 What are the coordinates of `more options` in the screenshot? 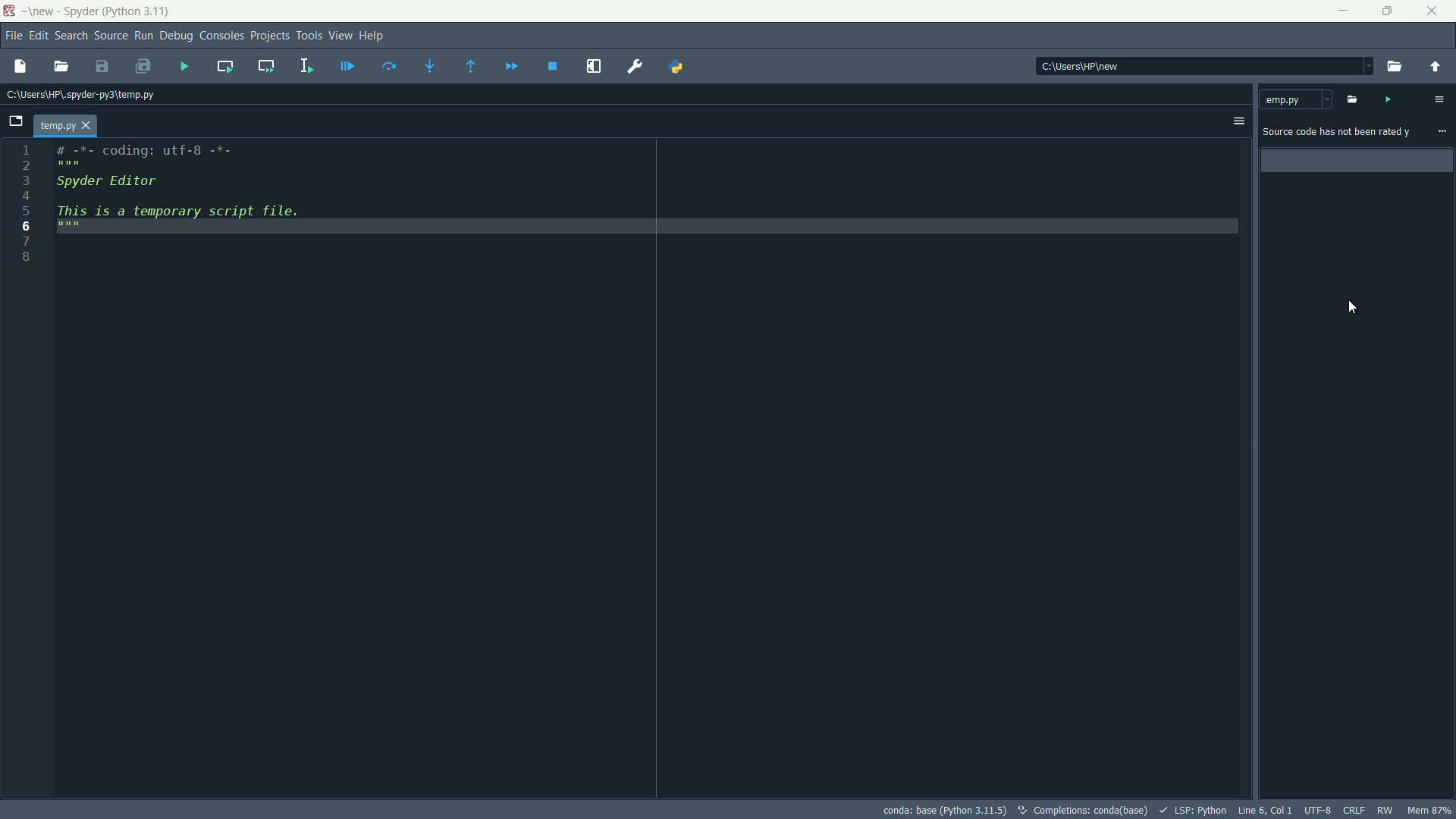 It's located at (1442, 132).